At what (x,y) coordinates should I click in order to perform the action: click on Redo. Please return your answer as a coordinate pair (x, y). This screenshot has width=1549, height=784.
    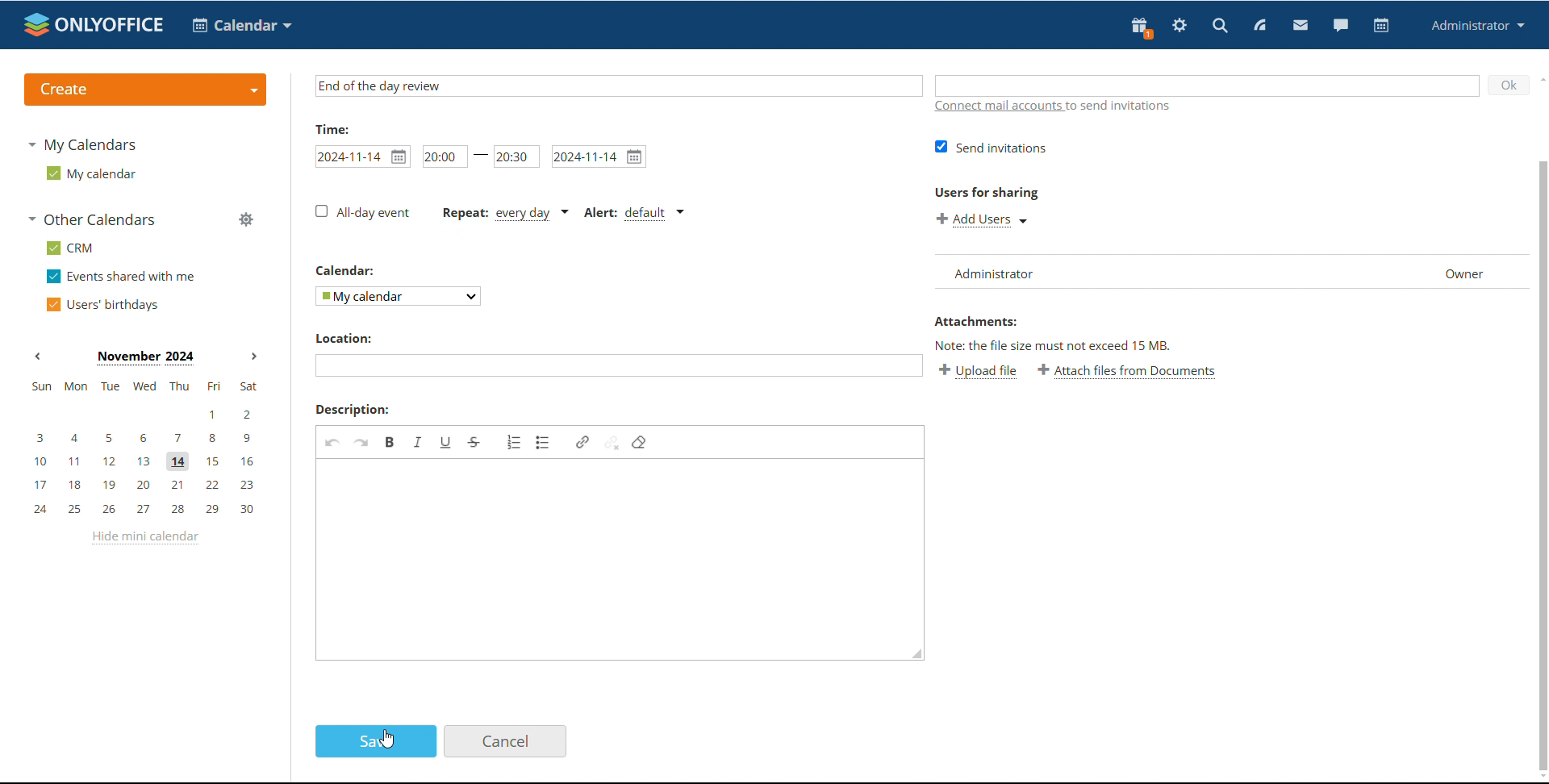
    Looking at the image, I should click on (362, 441).